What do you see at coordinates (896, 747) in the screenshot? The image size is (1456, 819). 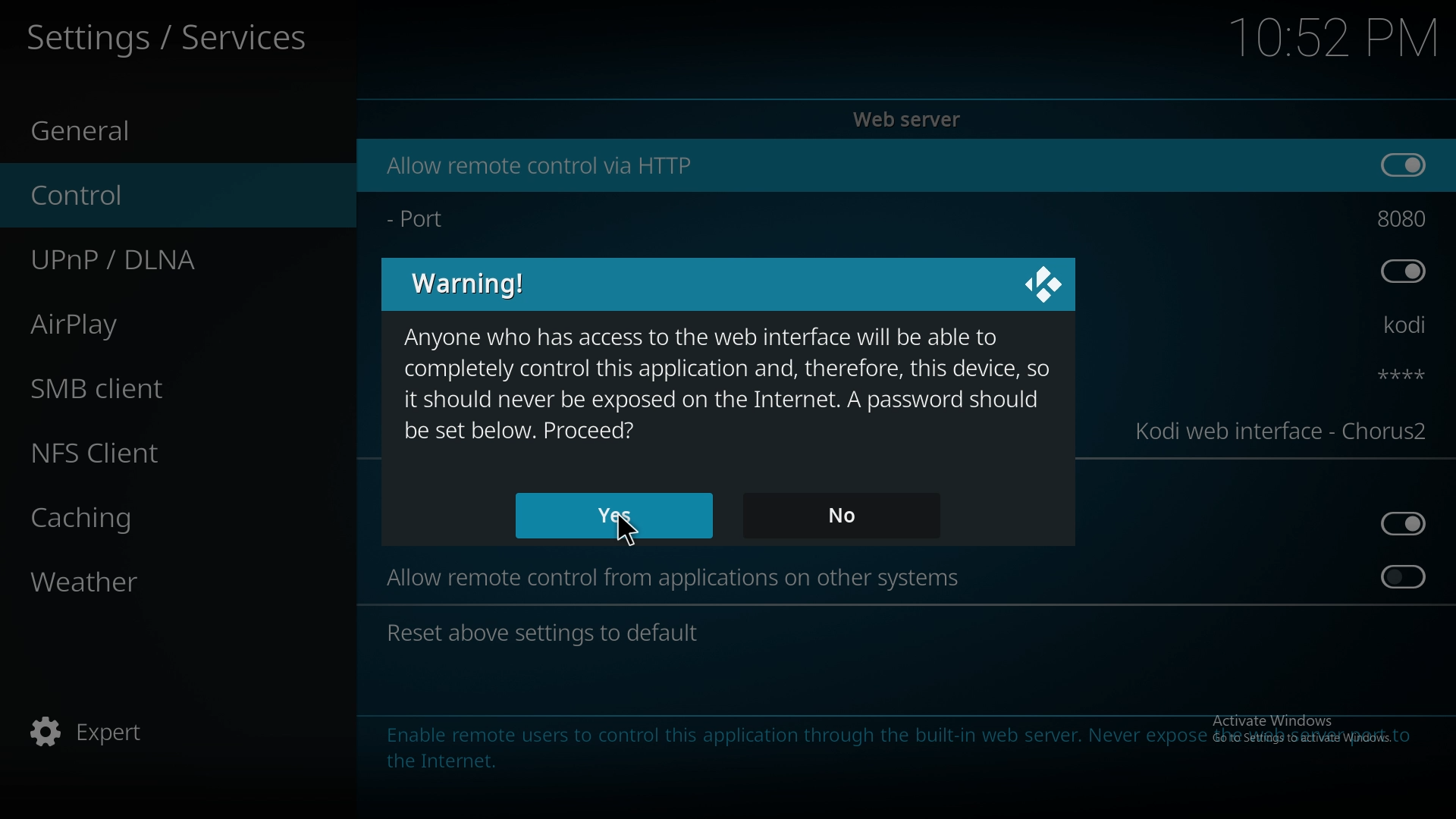 I see `info` at bounding box center [896, 747].